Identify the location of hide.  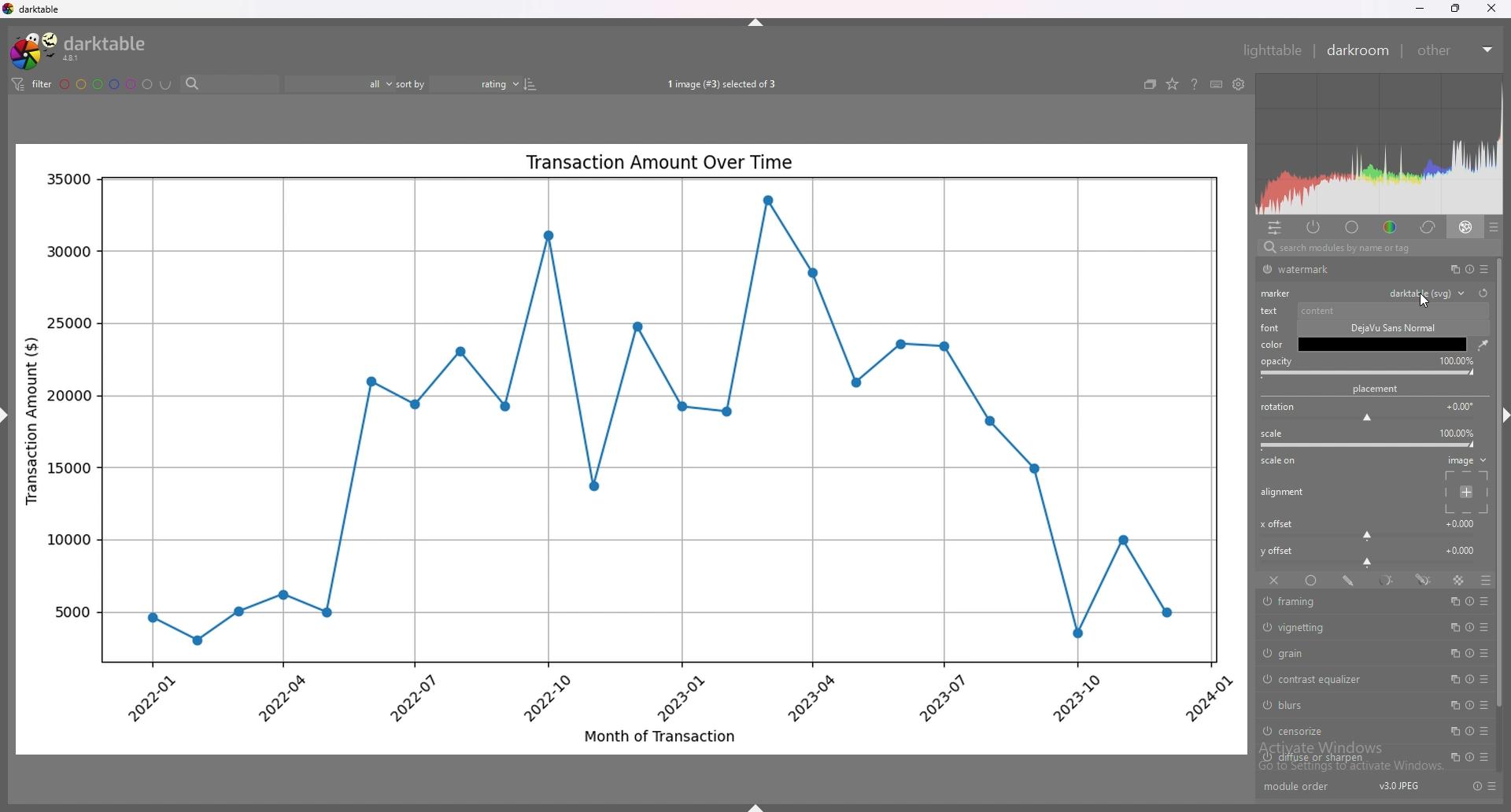
(9, 415).